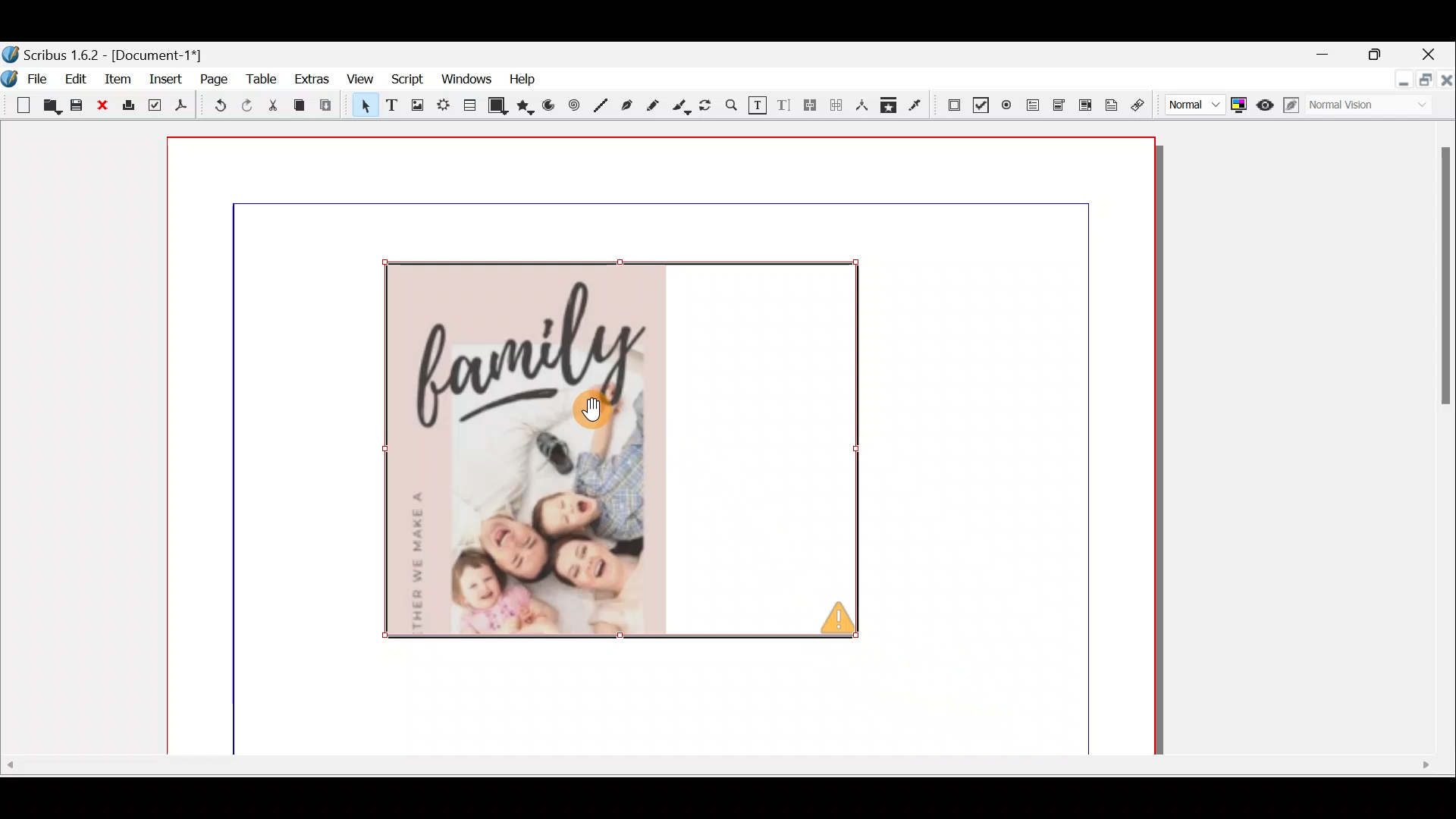 The width and height of the screenshot is (1456, 819). What do you see at coordinates (102, 108) in the screenshot?
I see `Close` at bounding box center [102, 108].